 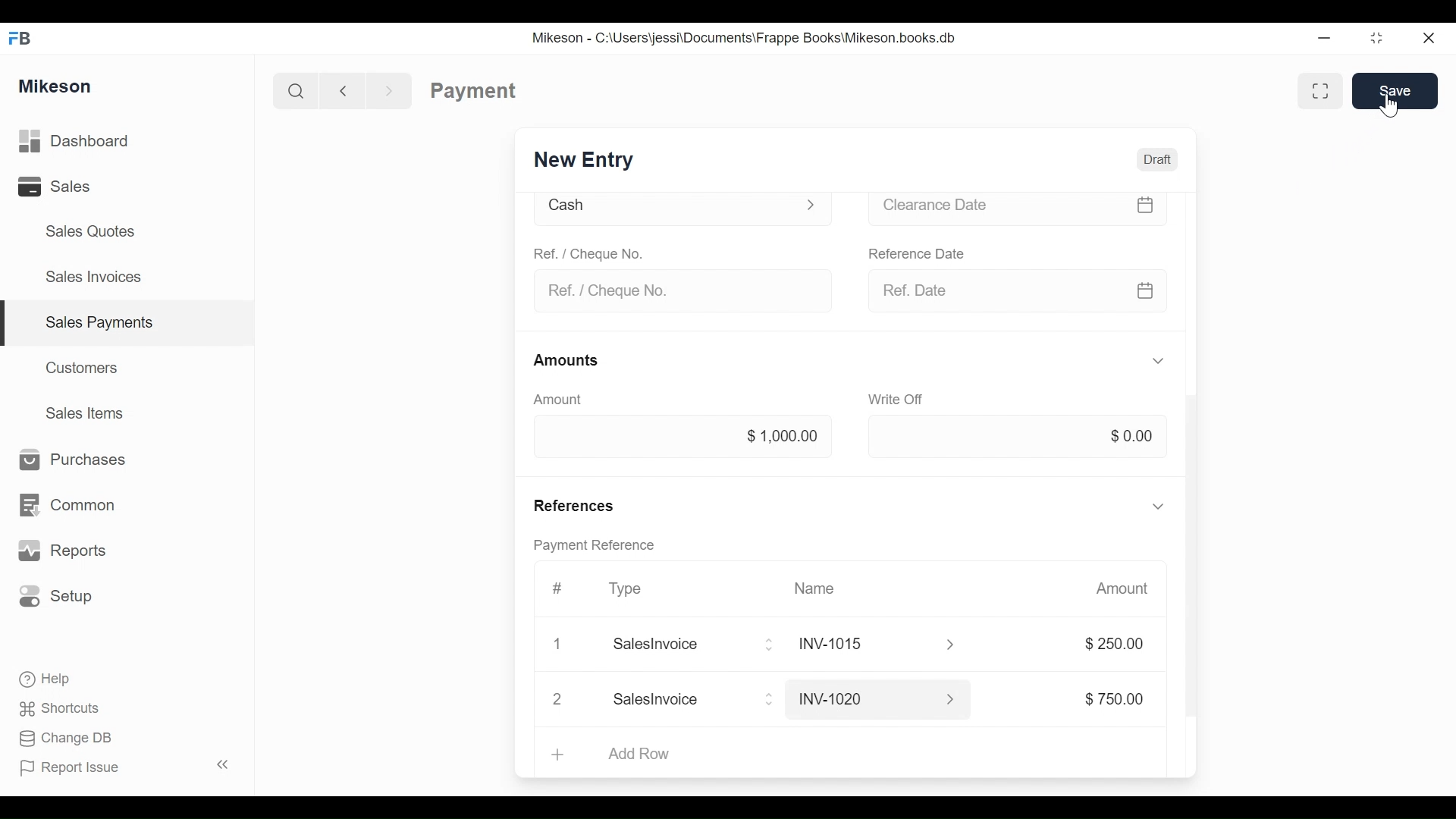 What do you see at coordinates (890, 401) in the screenshot?
I see `Write off` at bounding box center [890, 401].